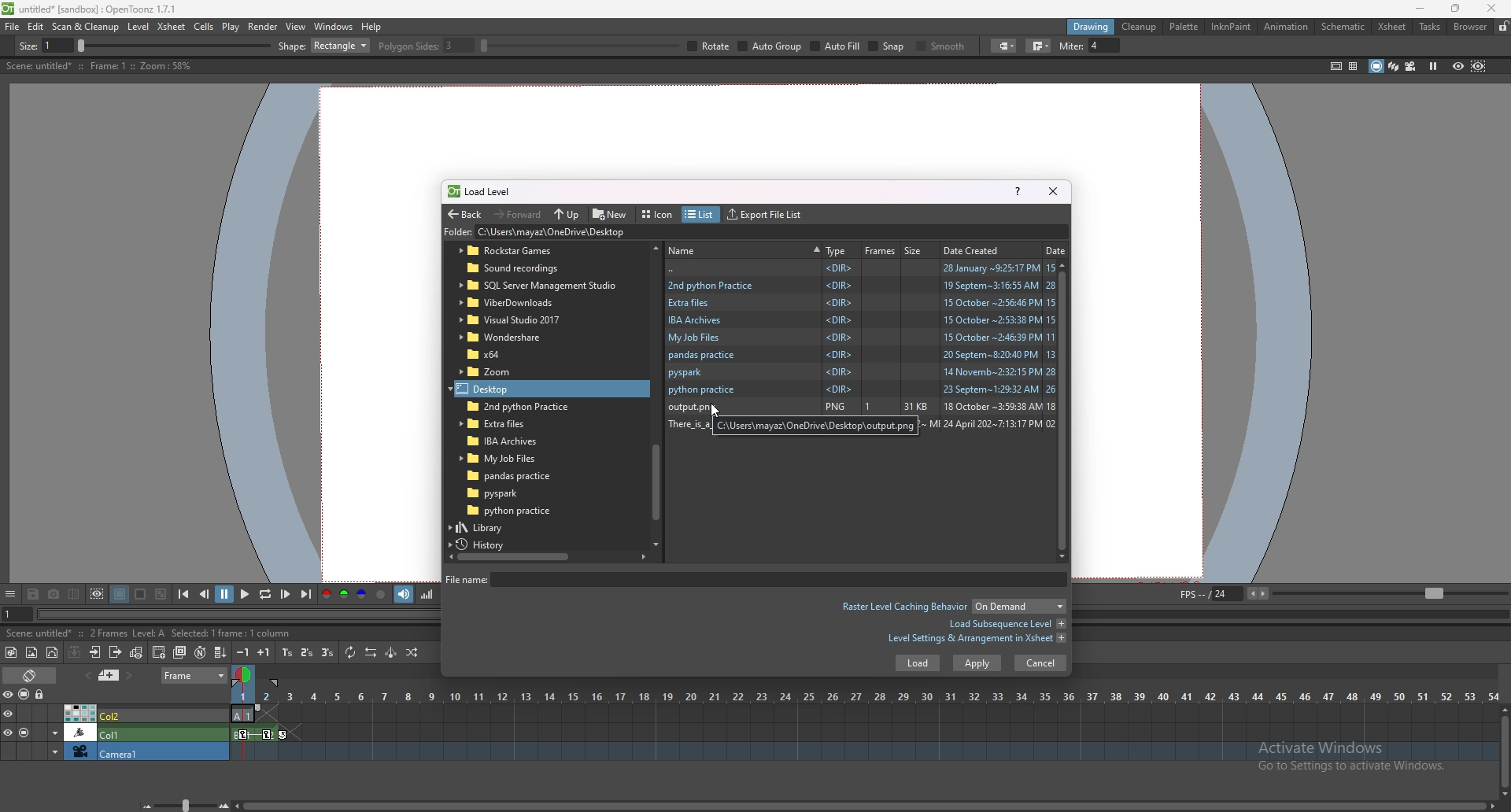  I want to click on close, so click(1489, 8).